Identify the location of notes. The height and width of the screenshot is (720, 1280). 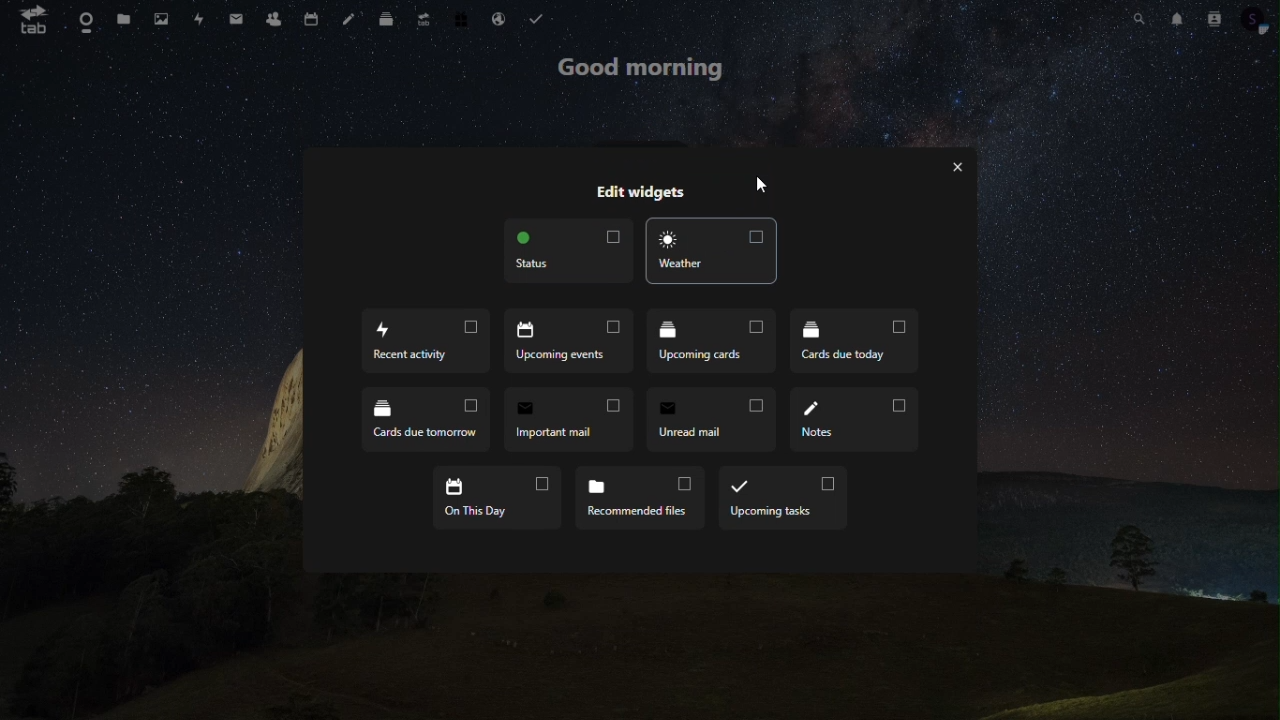
(858, 418).